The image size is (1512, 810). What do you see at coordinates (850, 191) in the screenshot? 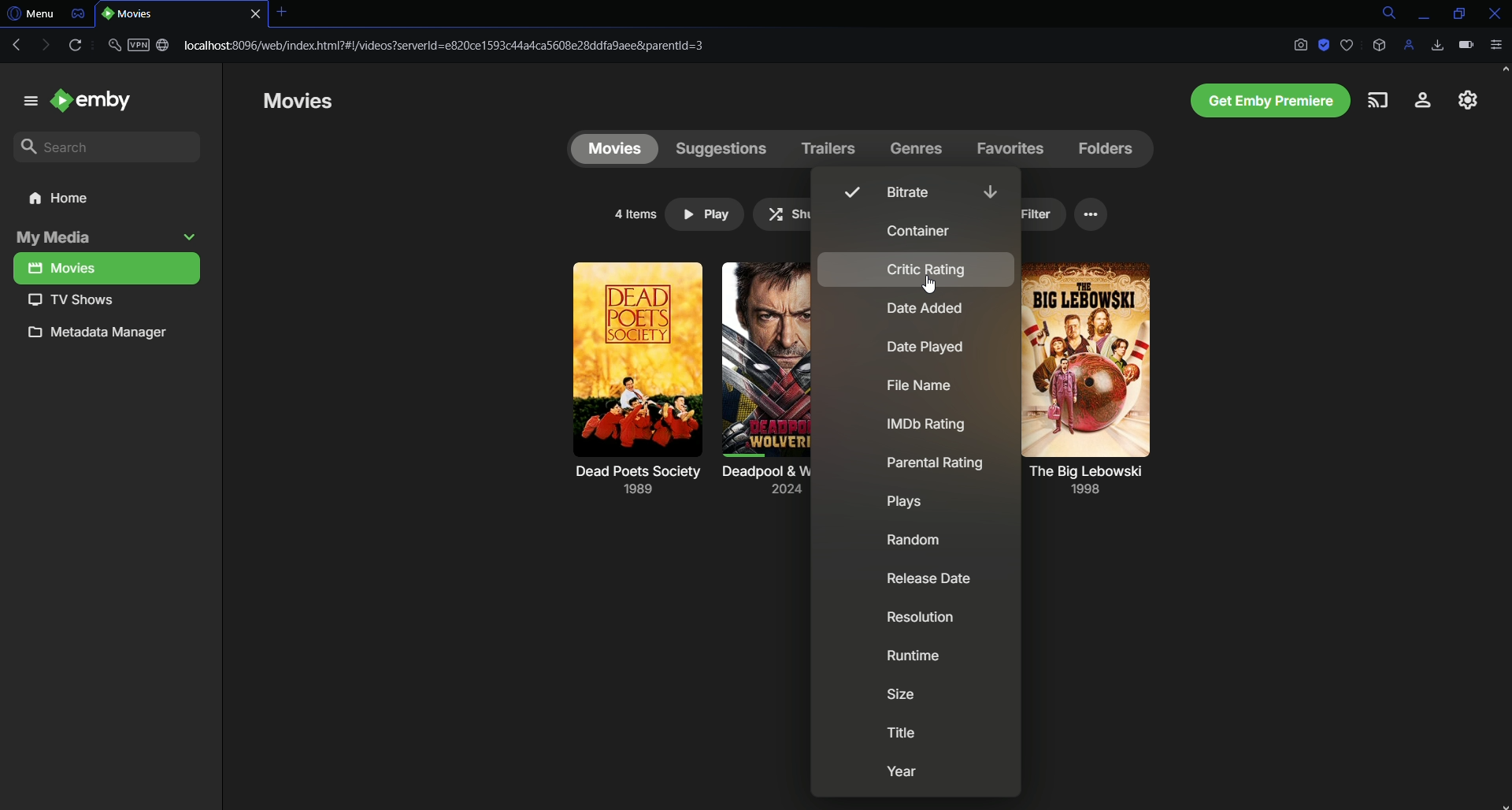
I see `Tick` at bounding box center [850, 191].